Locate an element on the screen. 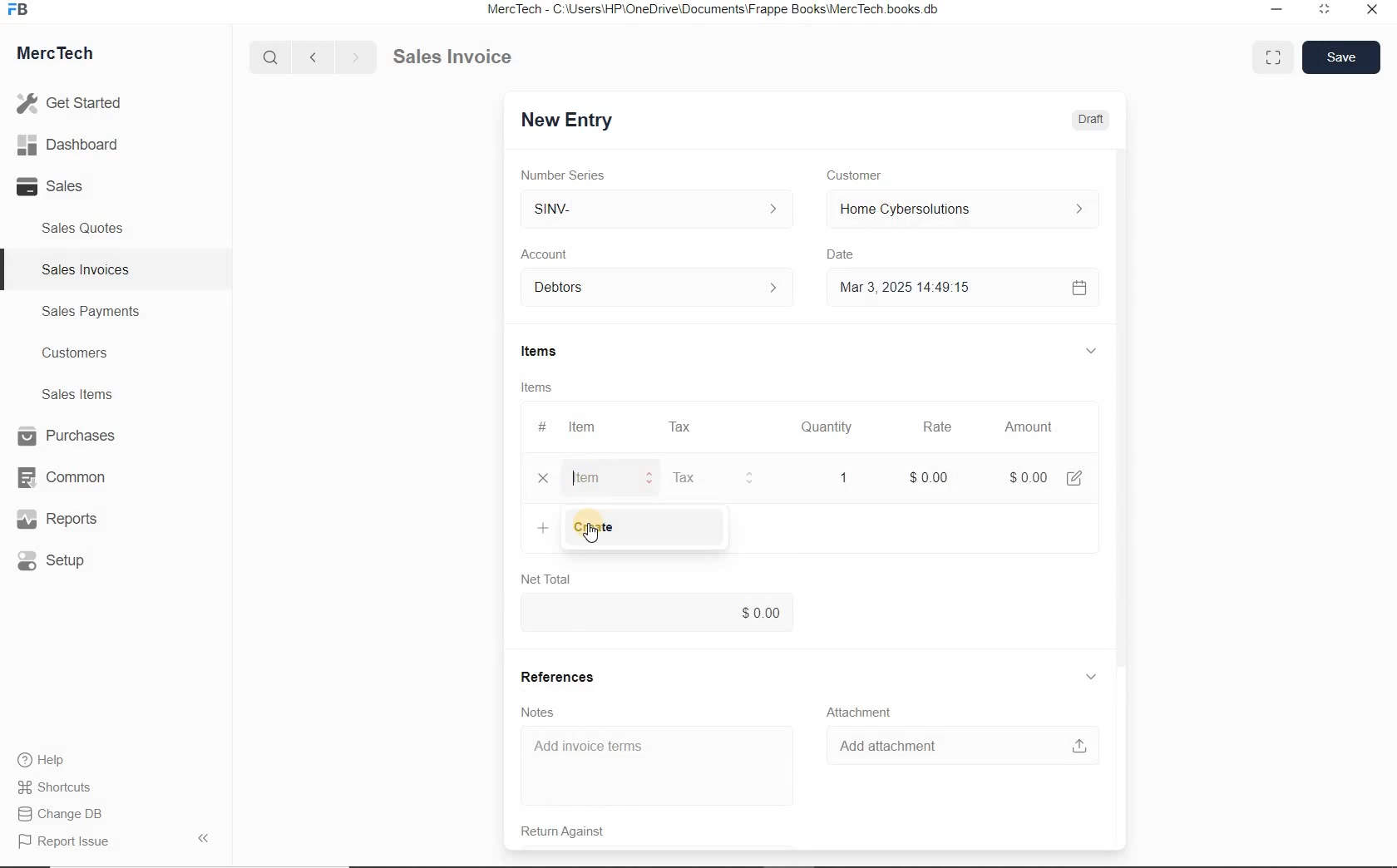 The width and height of the screenshot is (1397, 868). rate: $0.00 is located at coordinates (926, 476).